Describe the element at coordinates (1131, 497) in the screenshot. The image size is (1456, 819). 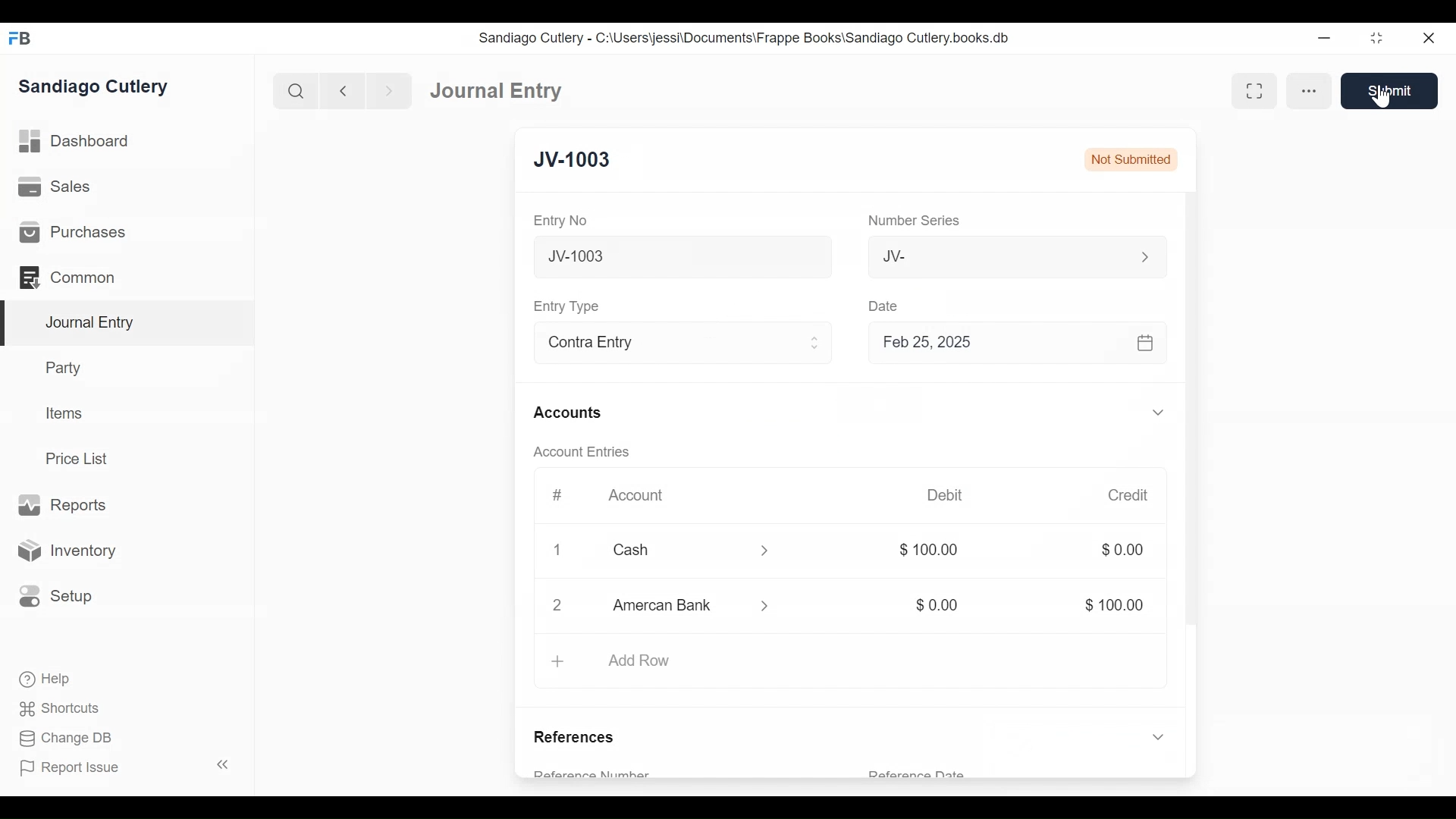
I see `Credit` at that location.